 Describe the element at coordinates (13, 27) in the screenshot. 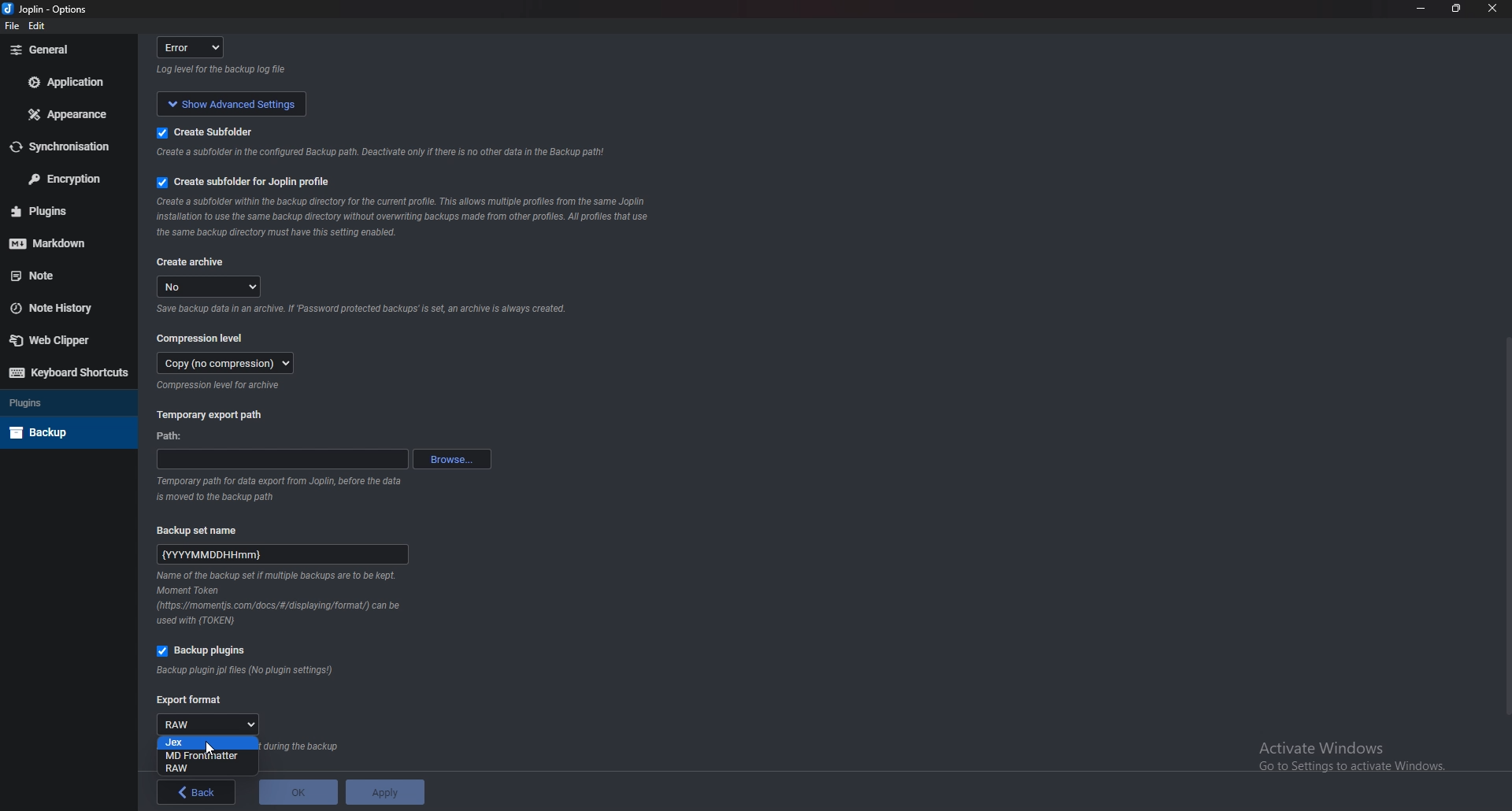

I see `file` at that location.